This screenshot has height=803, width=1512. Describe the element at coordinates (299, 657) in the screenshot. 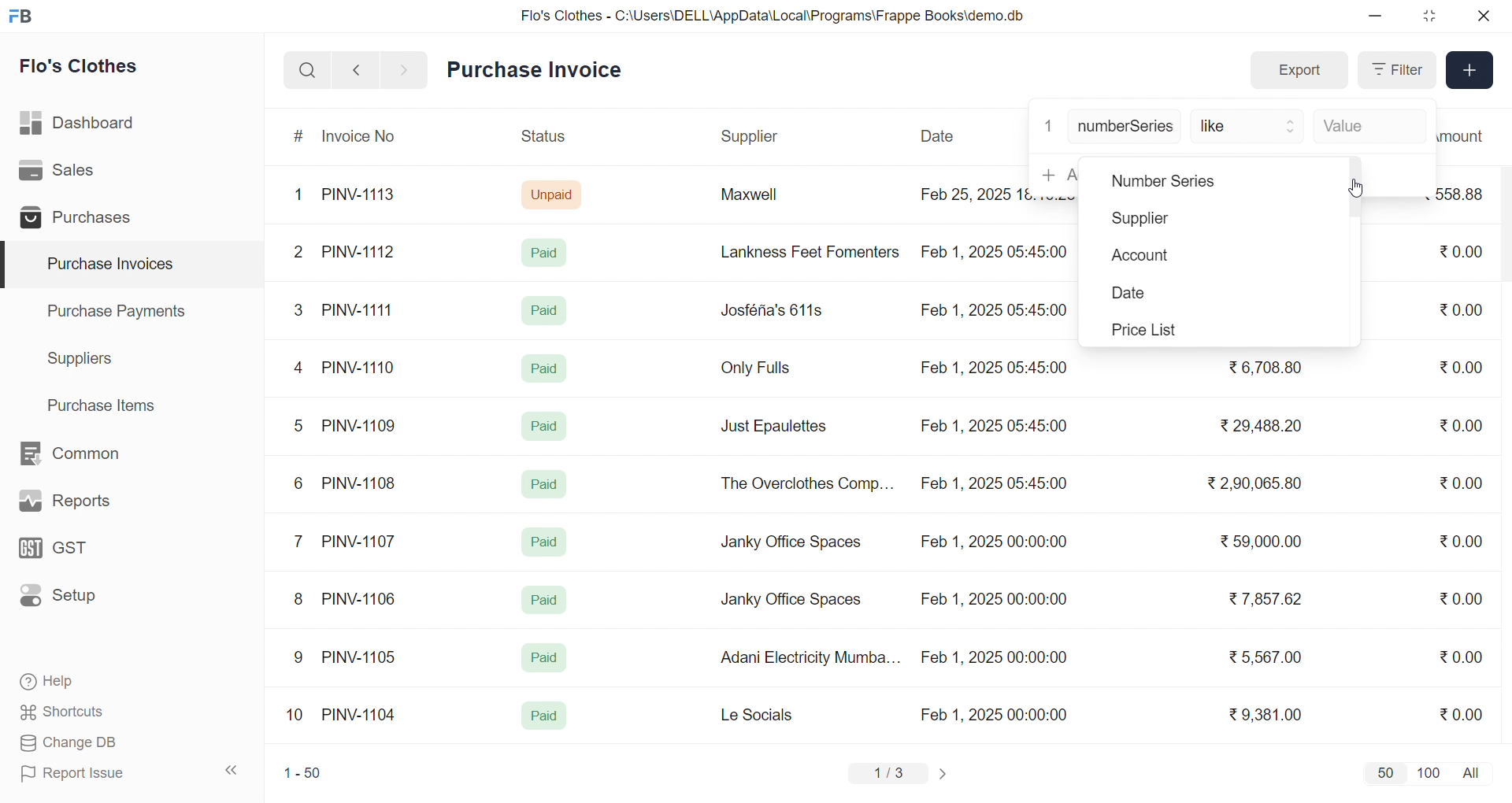

I see `9` at that location.